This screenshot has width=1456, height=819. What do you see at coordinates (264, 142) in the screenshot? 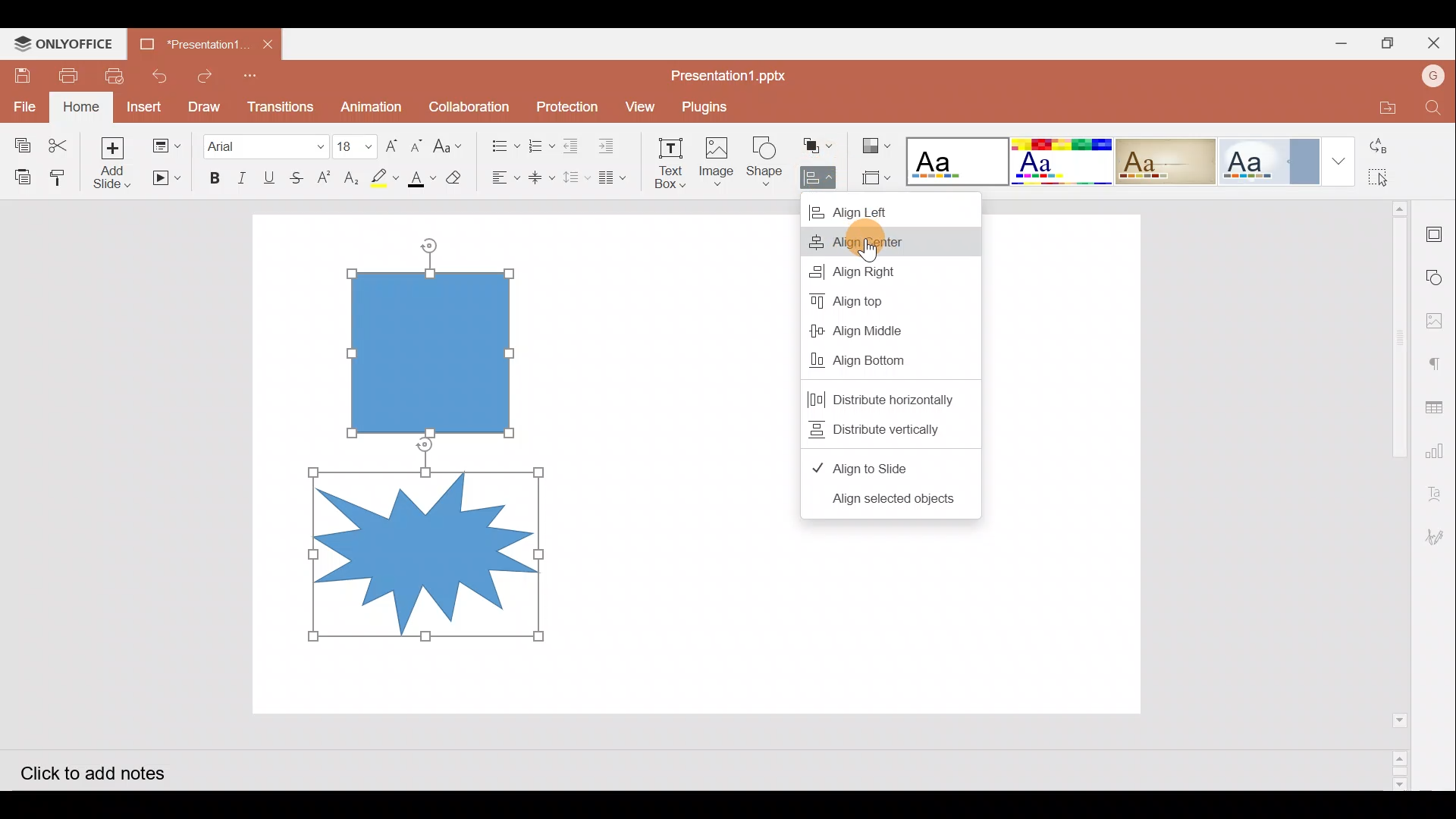
I see `Font name` at bounding box center [264, 142].